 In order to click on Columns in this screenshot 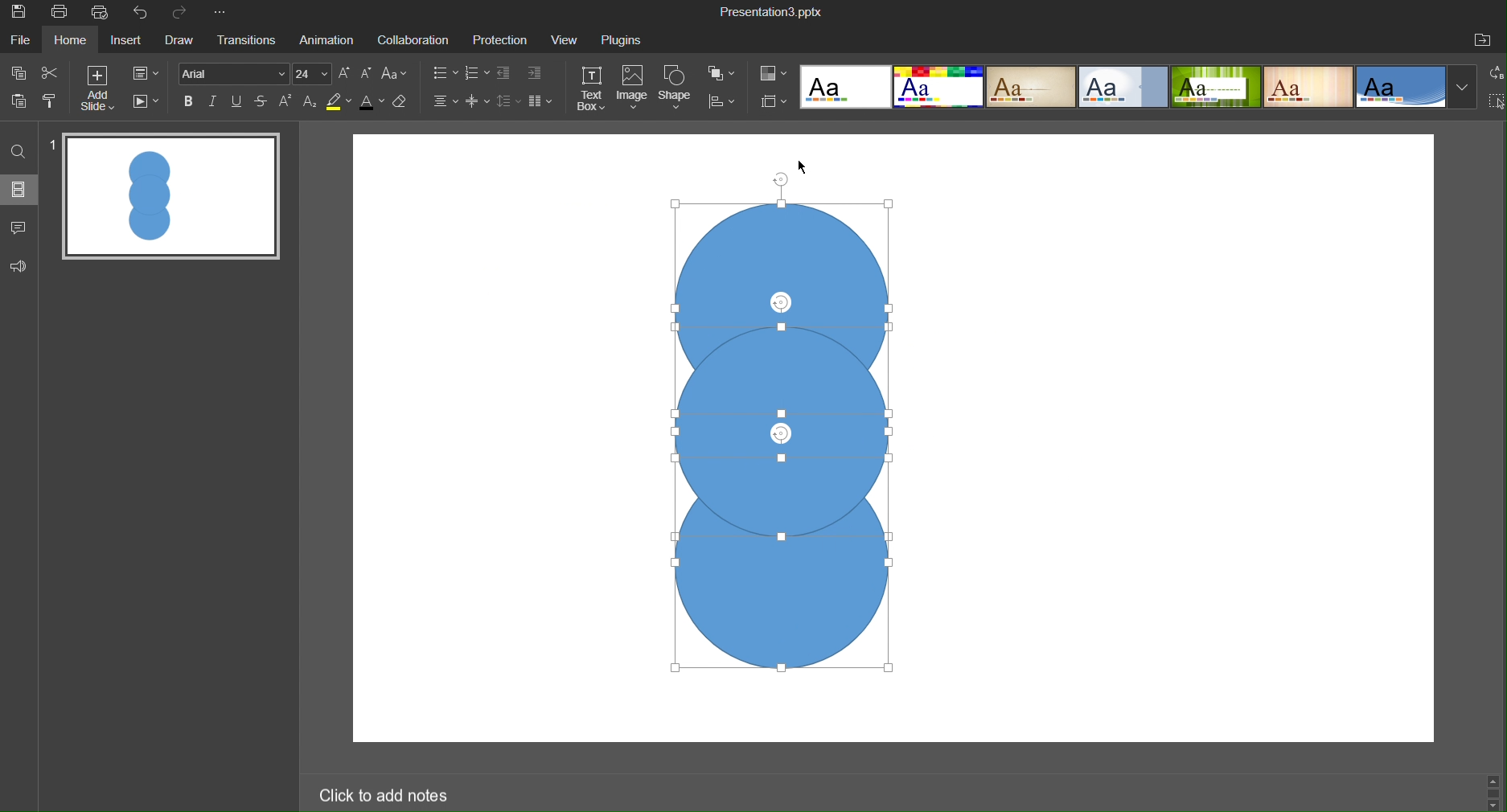, I will do `click(543, 101)`.